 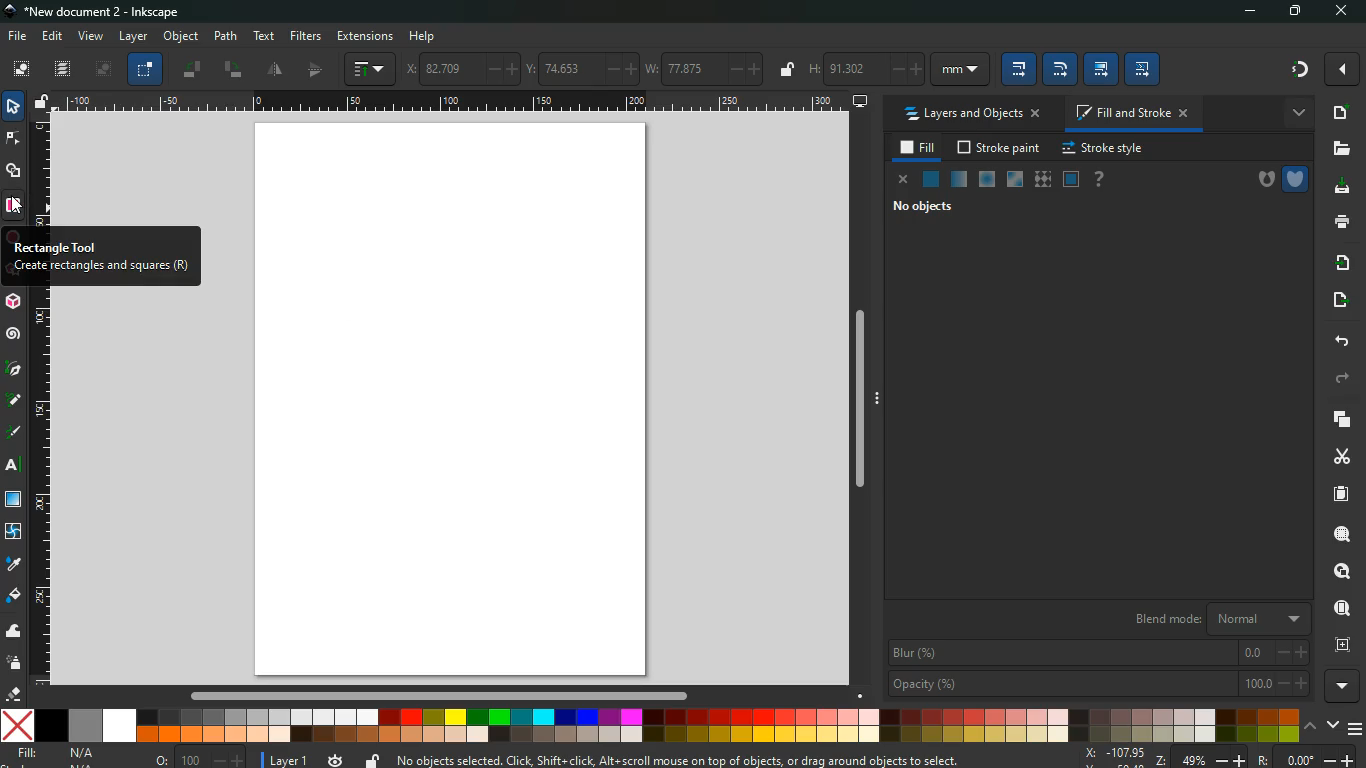 I want to click on rectangle, so click(x=15, y=206).